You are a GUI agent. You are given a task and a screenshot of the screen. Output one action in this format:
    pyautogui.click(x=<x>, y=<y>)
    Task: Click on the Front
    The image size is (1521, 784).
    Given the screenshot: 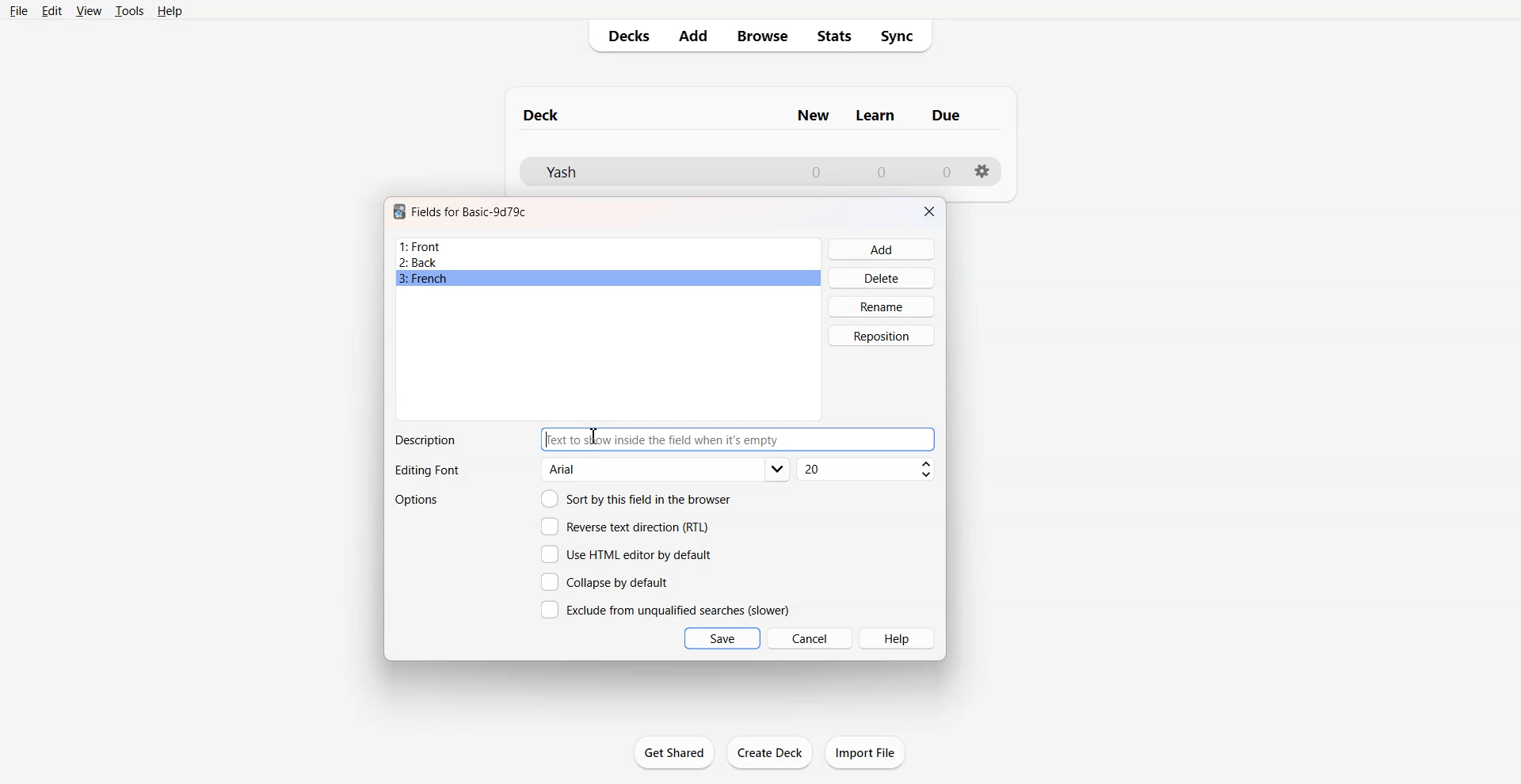 What is the action you would take?
    pyautogui.click(x=608, y=246)
    